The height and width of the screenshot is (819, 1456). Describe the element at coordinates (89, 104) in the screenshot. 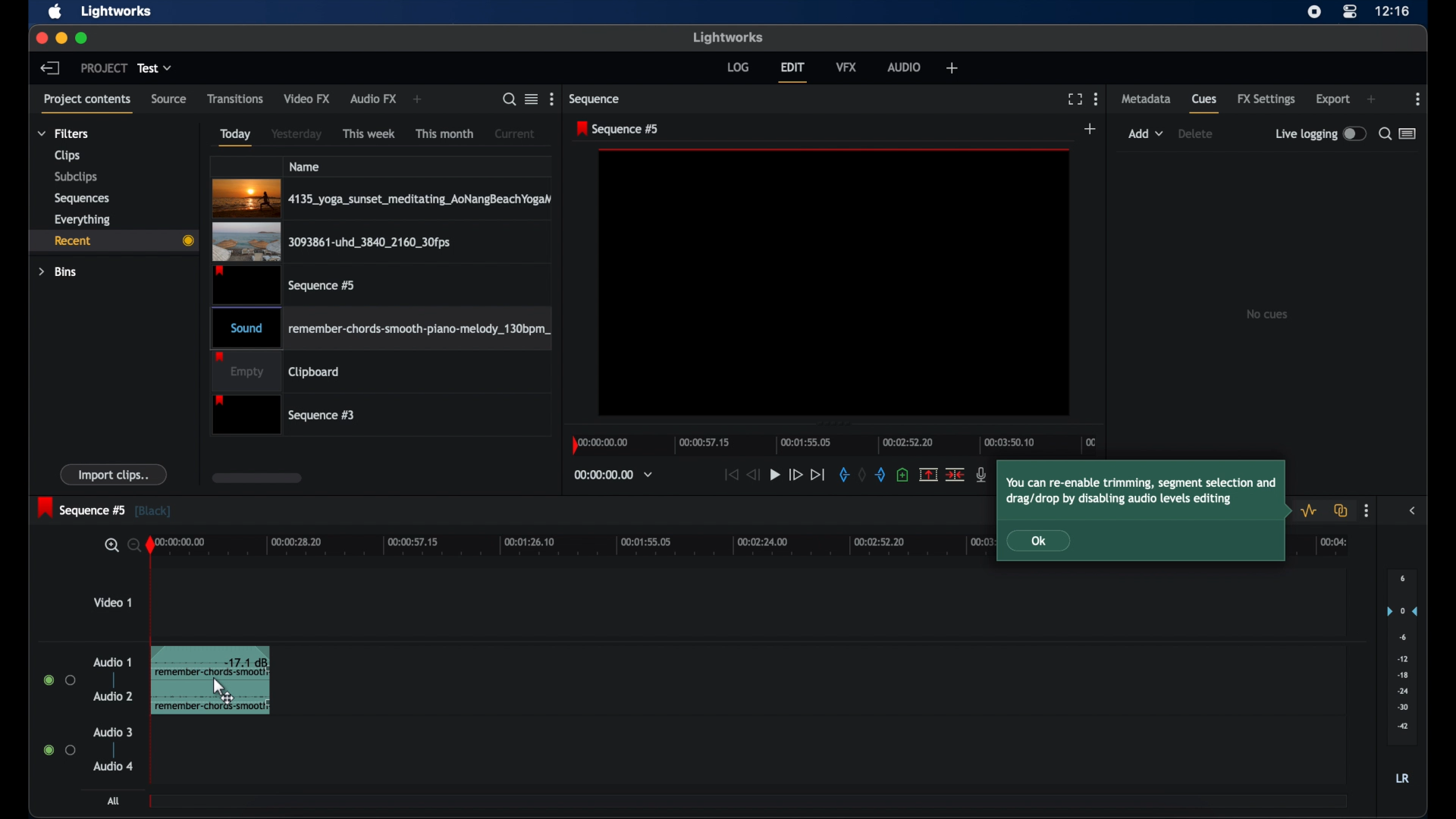

I see `project contents` at that location.